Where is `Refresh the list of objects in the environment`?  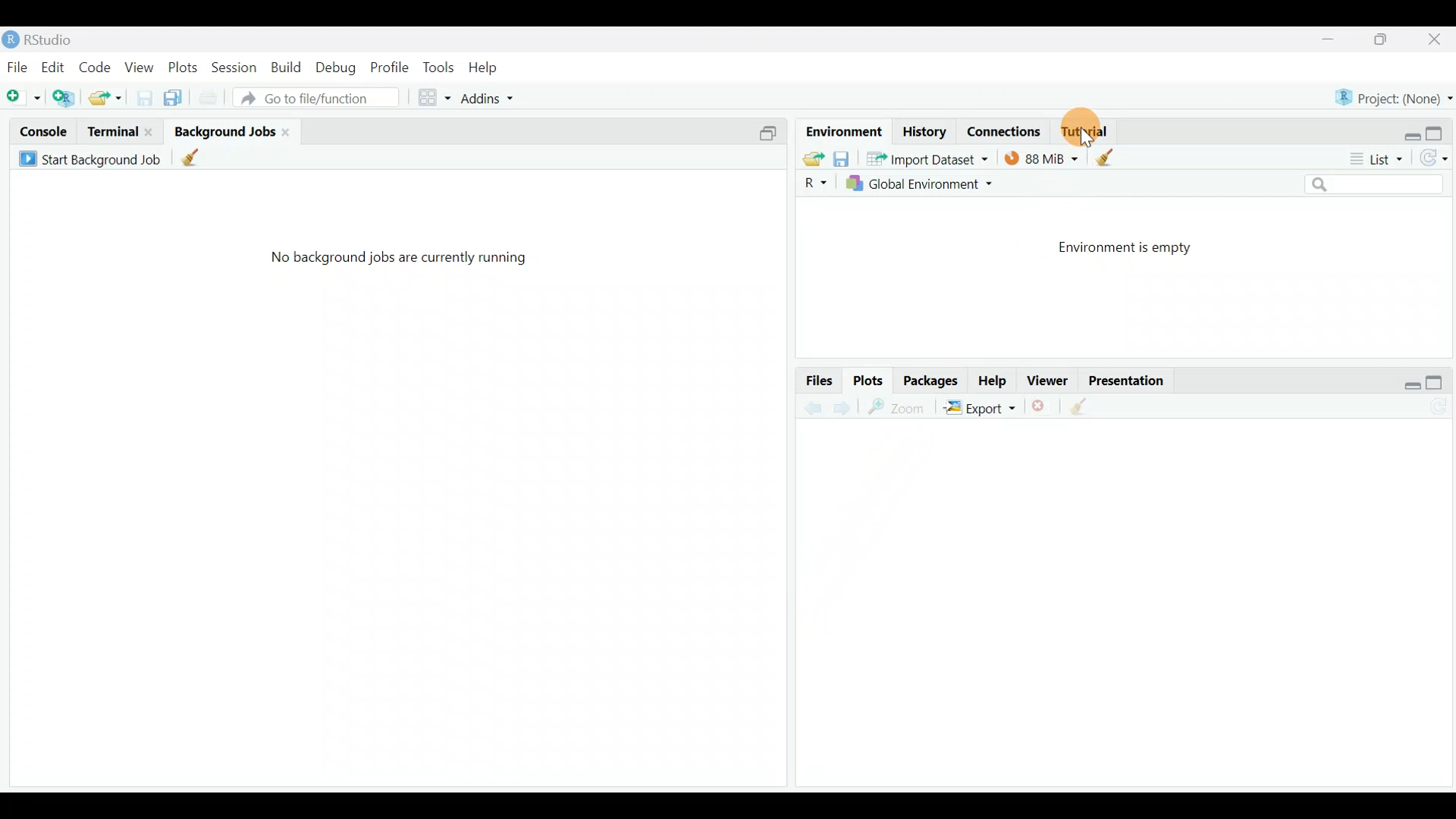 Refresh the list of objects in the environment is located at coordinates (1437, 158).